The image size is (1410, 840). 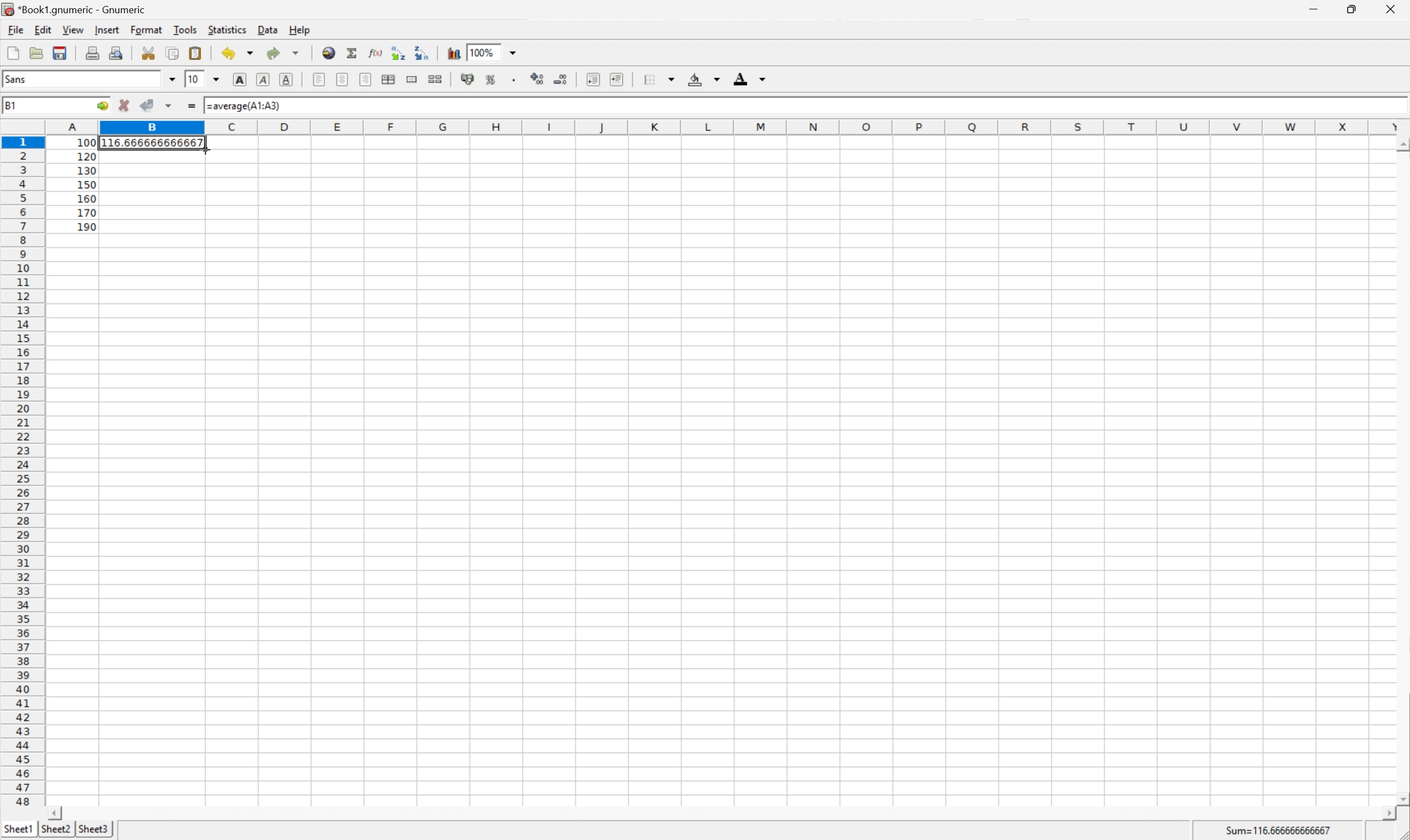 I want to click on Accept changes, so click(x=149, y=105).